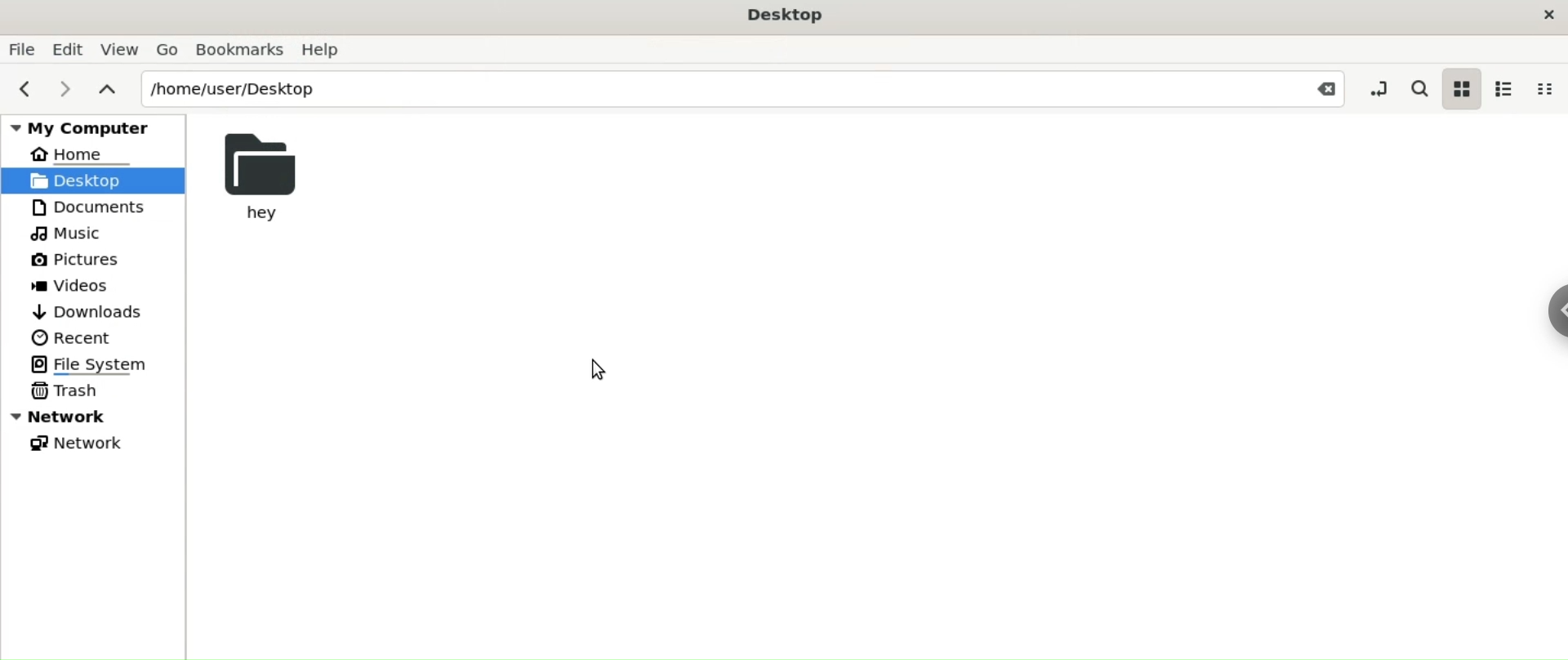 This screenshot has height=660, width=1568. Describe the element at coordinates (69, 284) in the screenshot. I see `Videos` at that location.